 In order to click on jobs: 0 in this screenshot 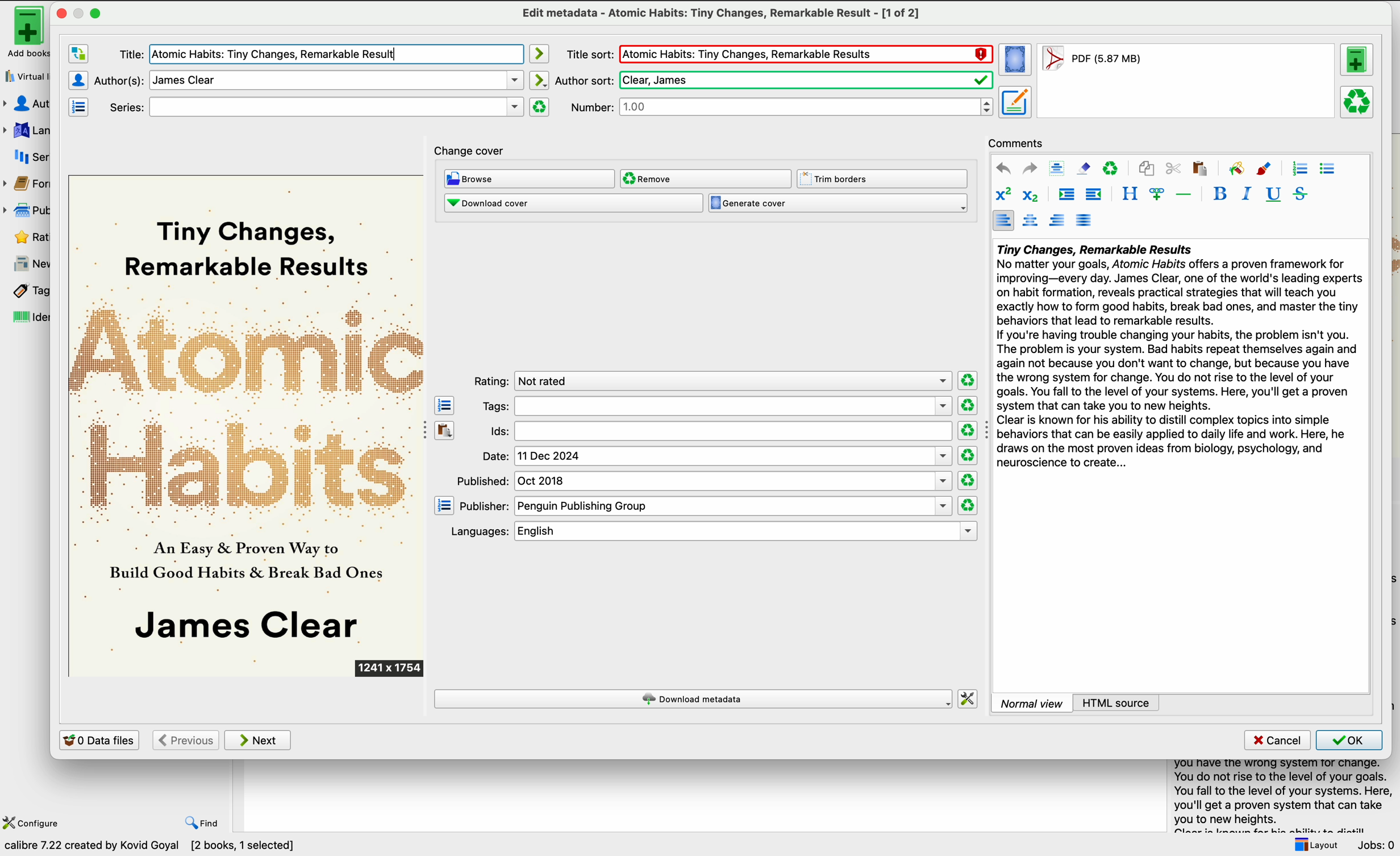, I will do `click(1377, 845)`.